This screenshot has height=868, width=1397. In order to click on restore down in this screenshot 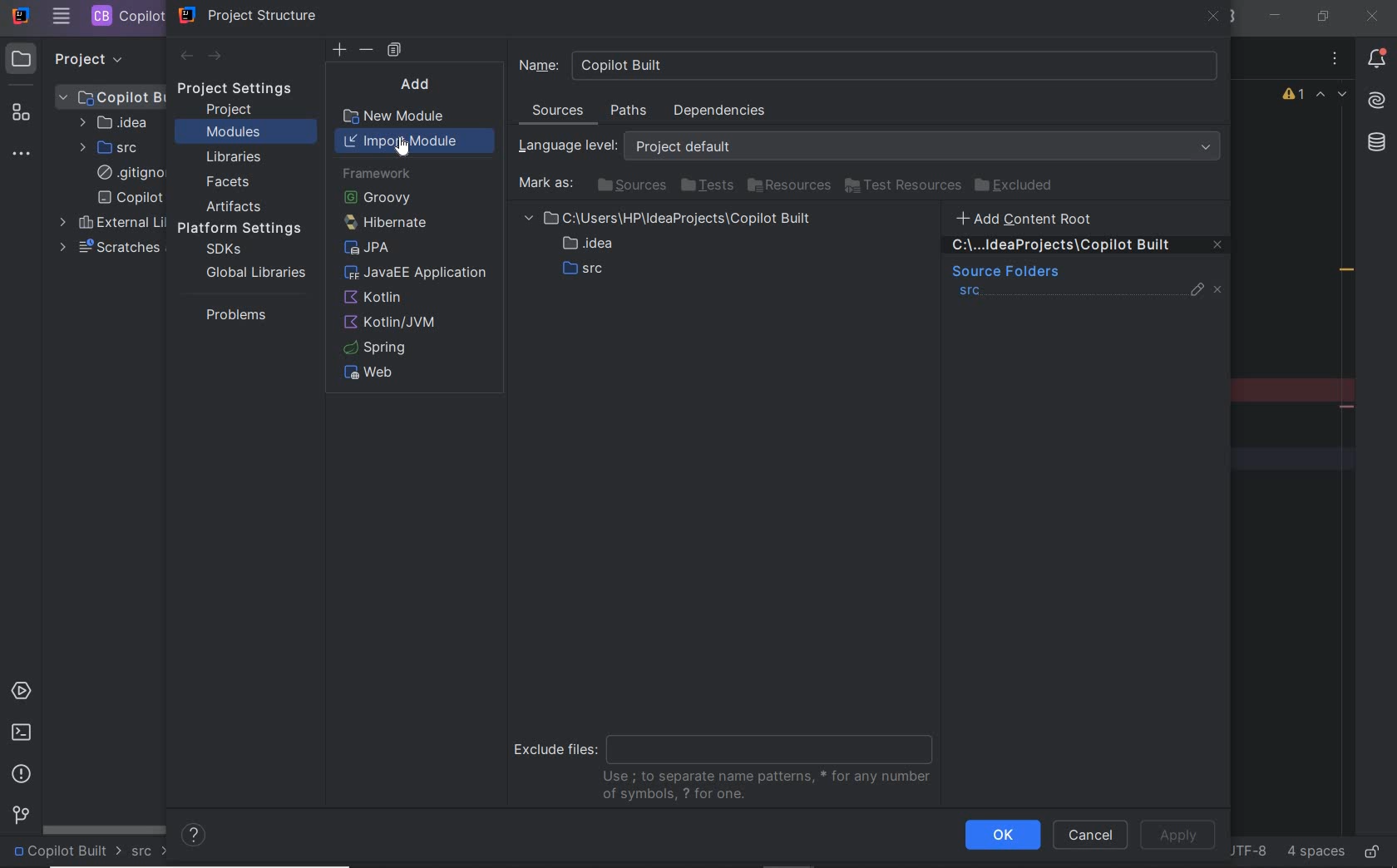, I will do `click(1321, 16)`.